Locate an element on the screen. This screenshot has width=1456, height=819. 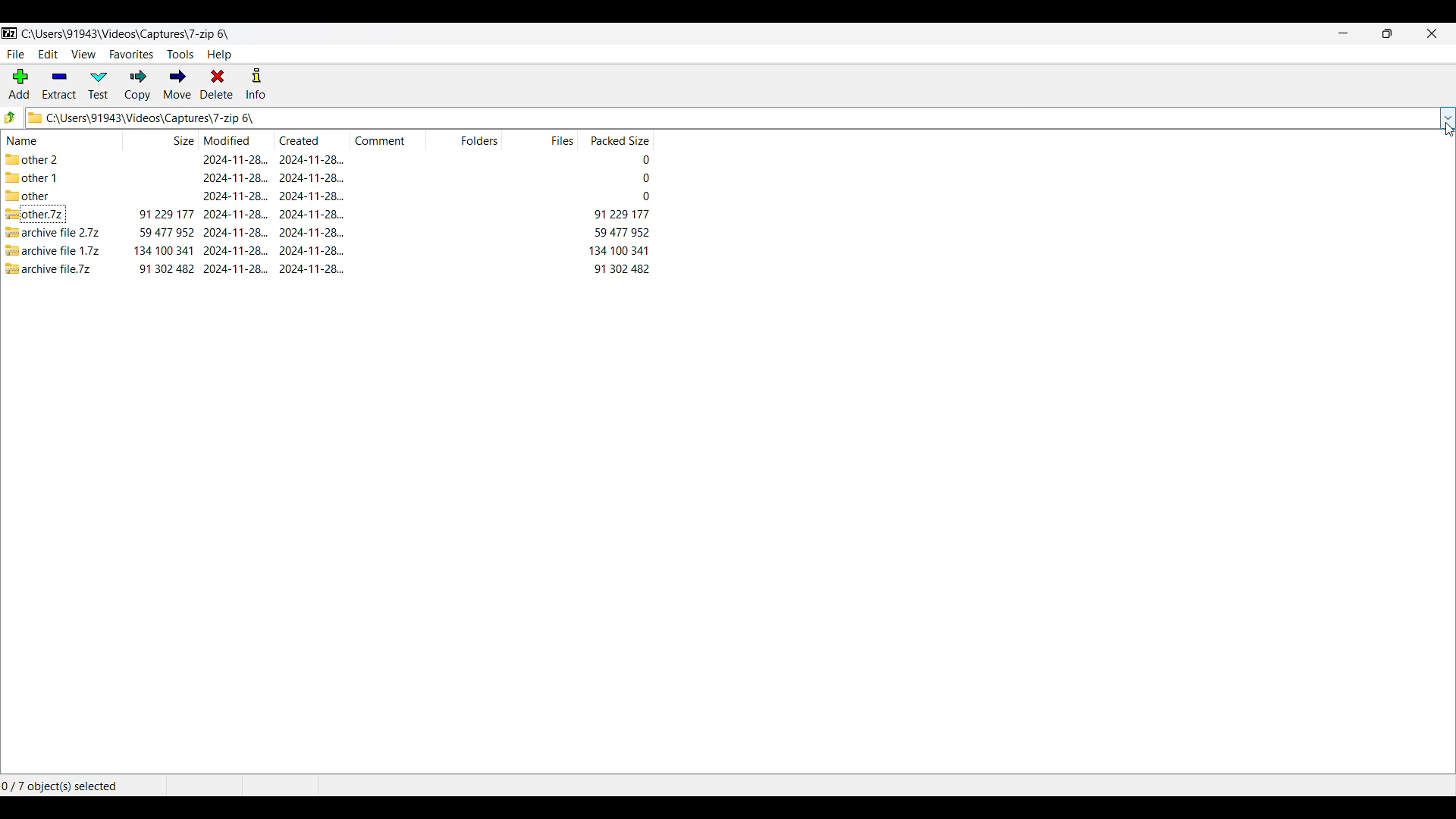
Move is located at coordinates (177, 85).